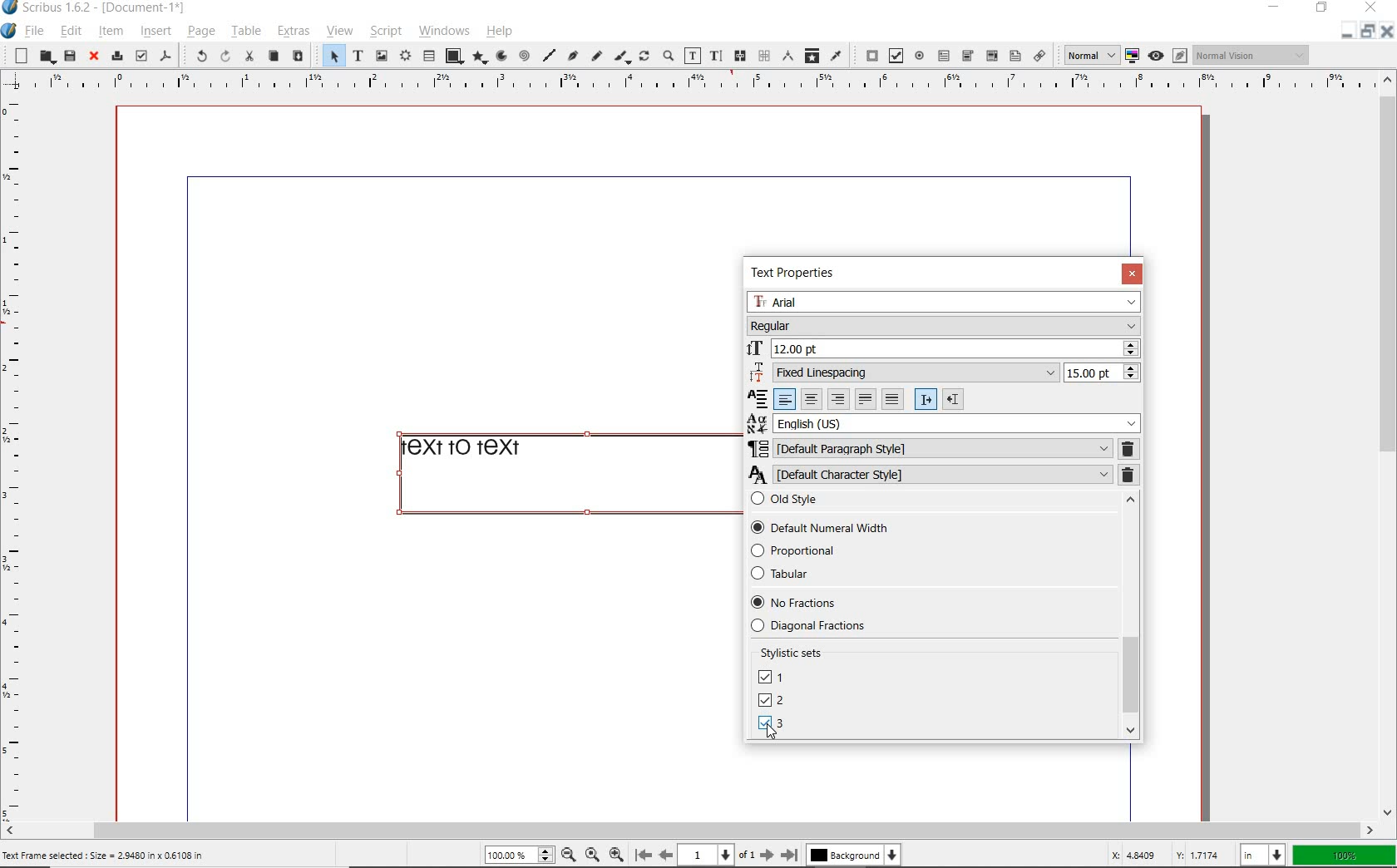  Describe the element at coordinates (967, 56) in the screenshot. I see `pdf combo box` at that location.